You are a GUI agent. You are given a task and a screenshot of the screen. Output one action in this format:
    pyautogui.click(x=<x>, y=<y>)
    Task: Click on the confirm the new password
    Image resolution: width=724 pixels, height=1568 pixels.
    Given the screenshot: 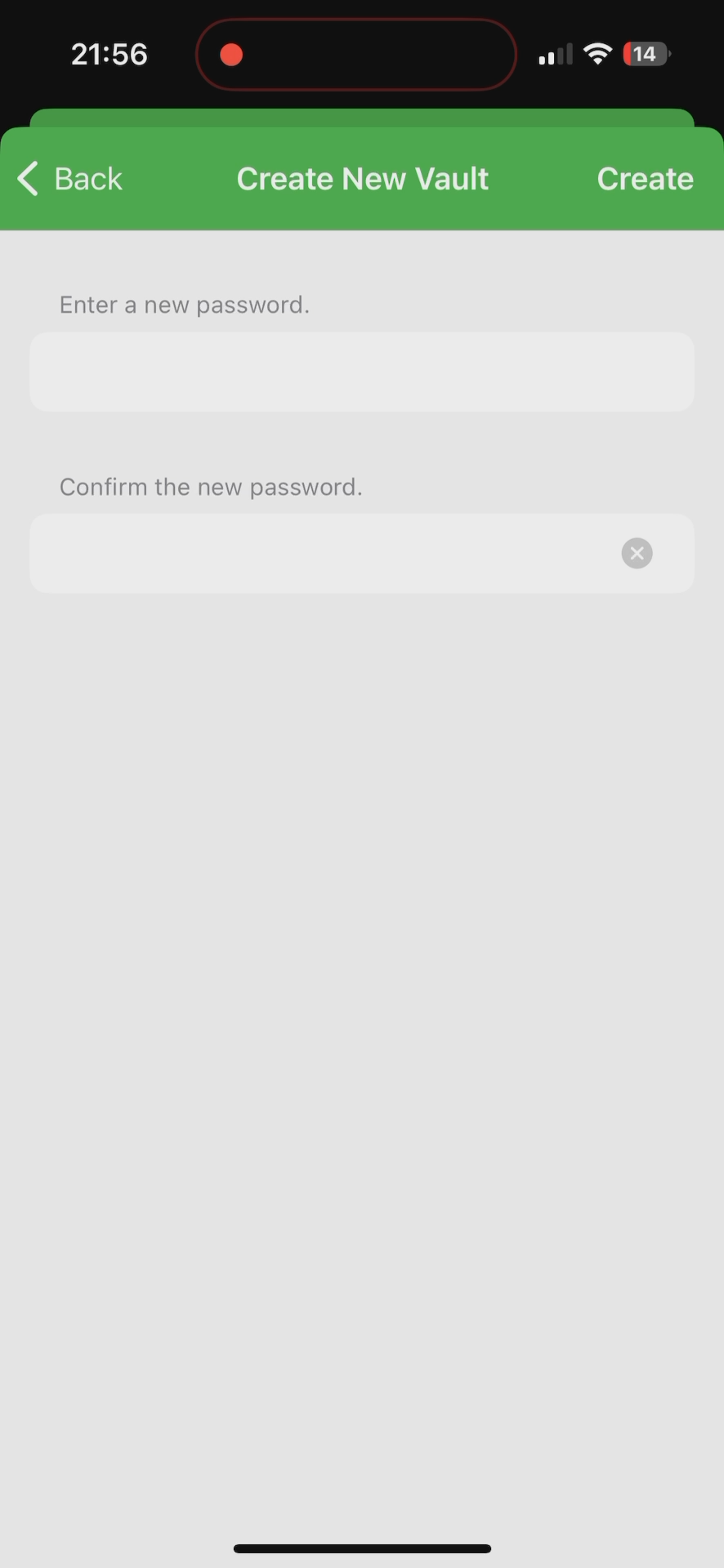 What is the action you would take?
    pyautogui.click(x=216, y=485)
    